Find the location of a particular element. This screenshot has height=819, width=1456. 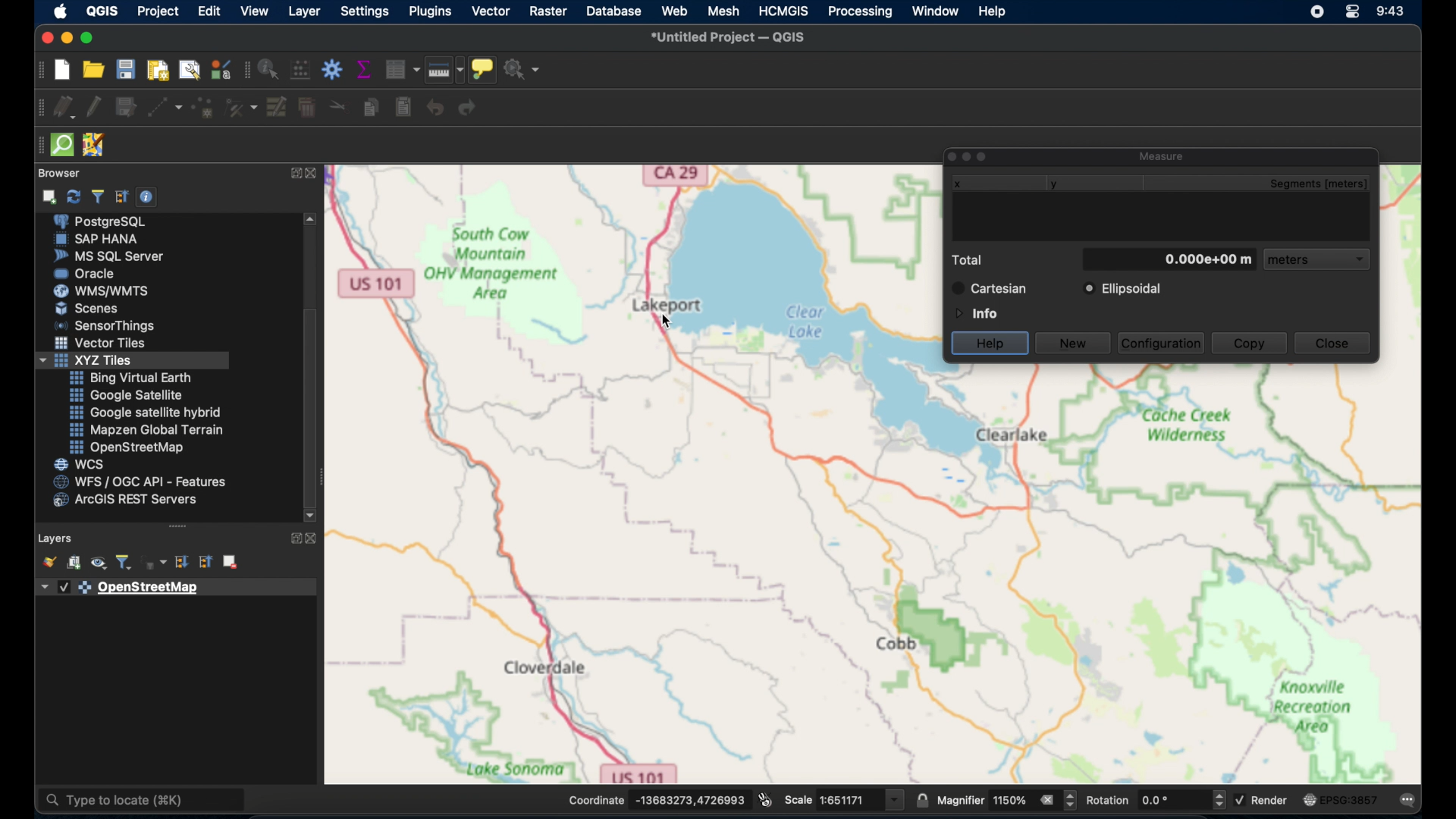

messages is located at coordinates (1409, 801).